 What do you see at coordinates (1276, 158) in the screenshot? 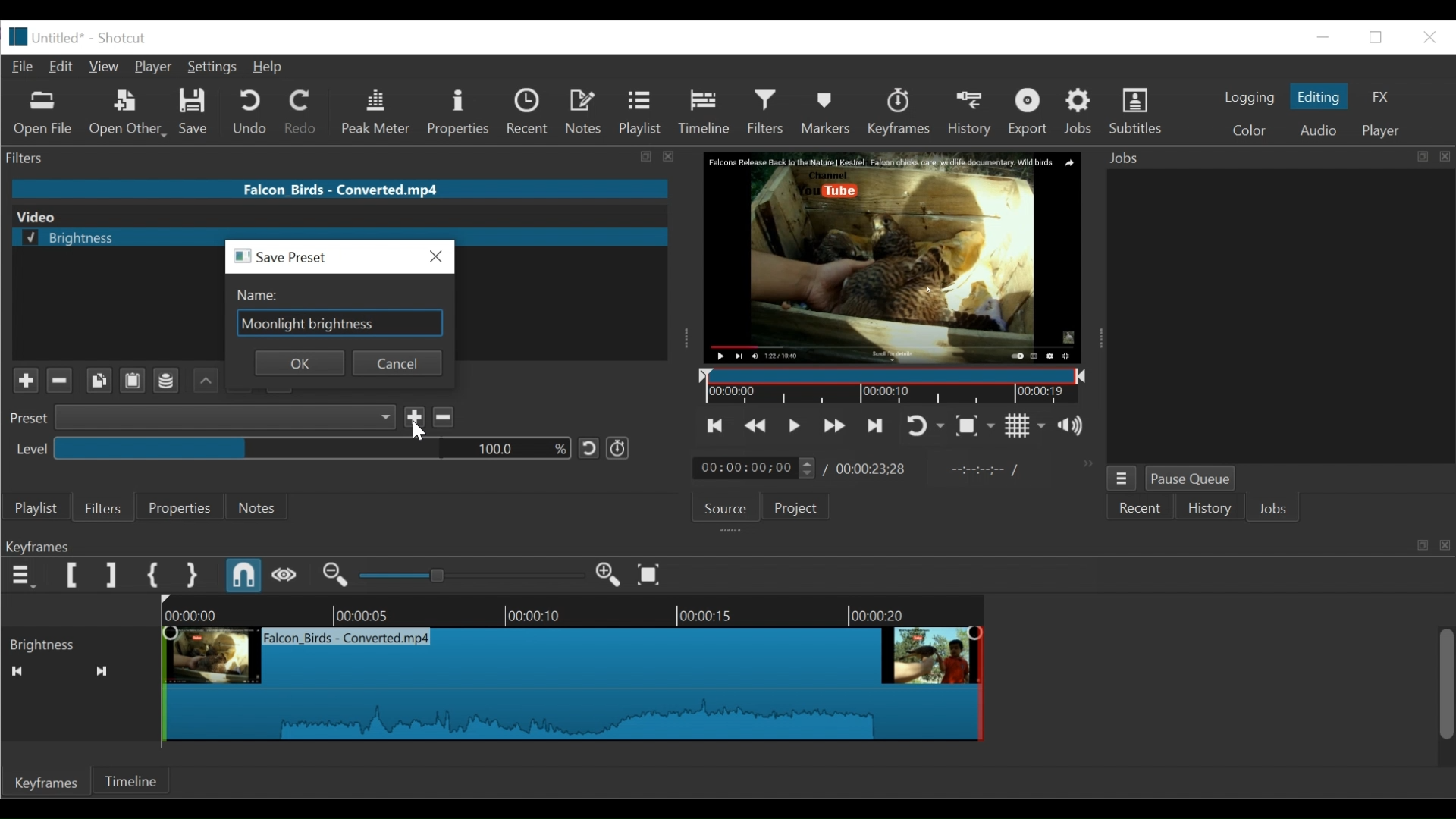
I see `Jobs Panel` at bounding box center [1276, 158].